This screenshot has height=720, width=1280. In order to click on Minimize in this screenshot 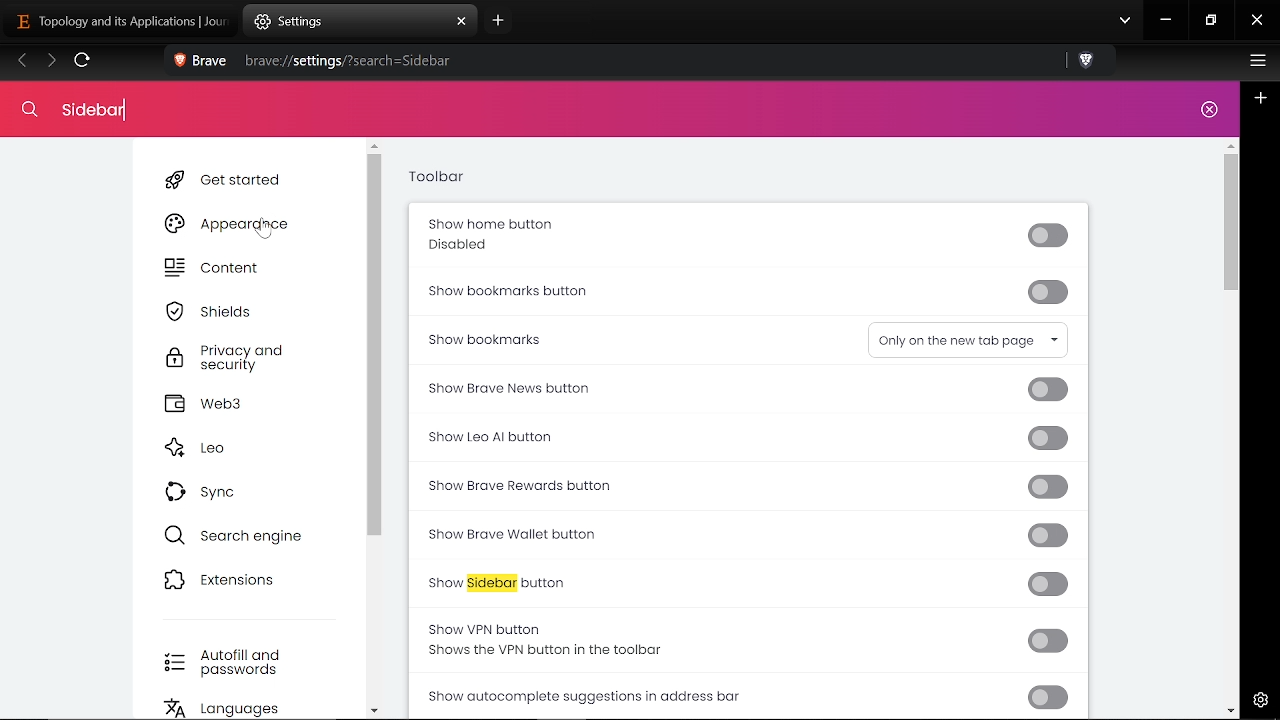, I will do `click(1166, 22)`.